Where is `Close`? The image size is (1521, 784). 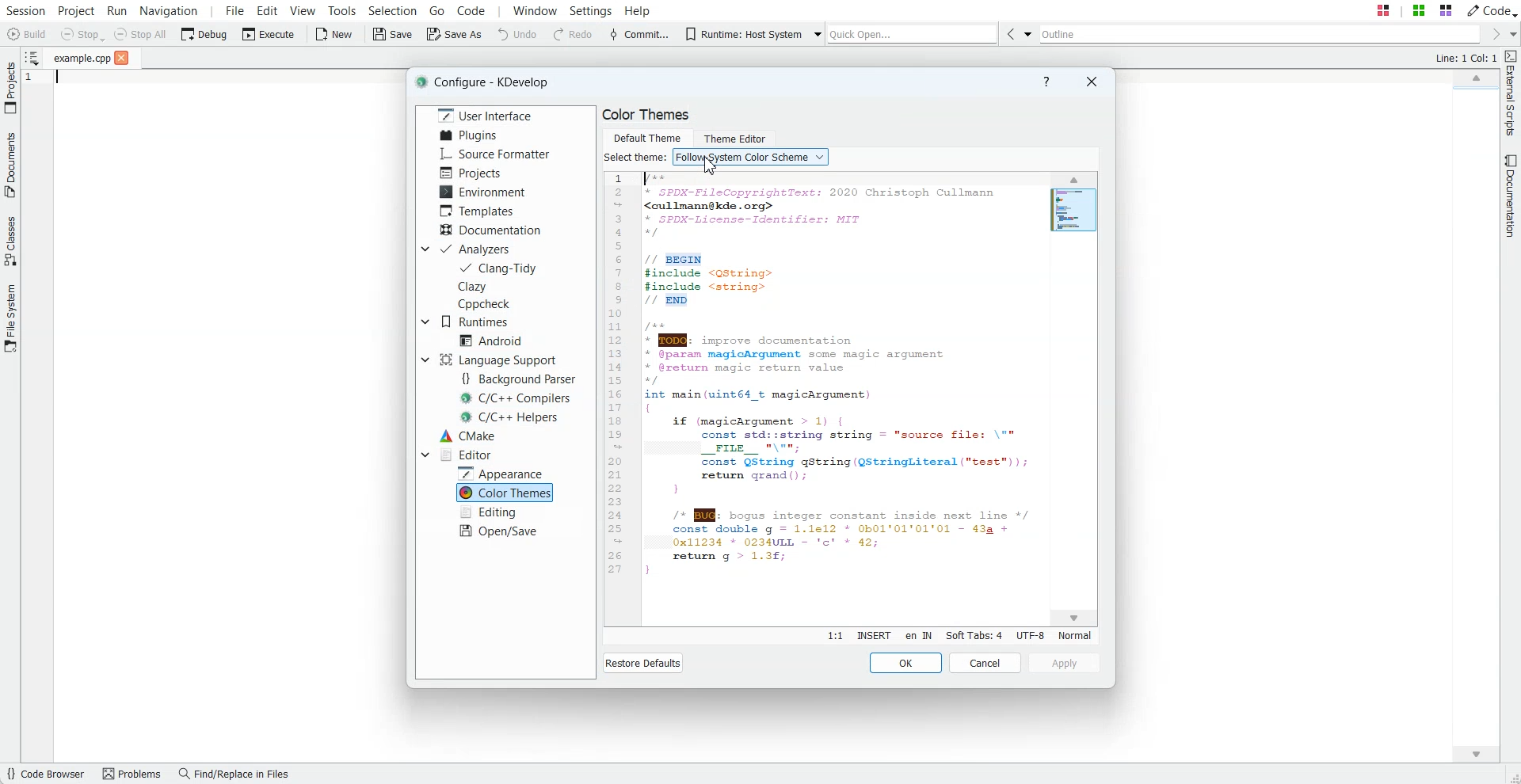
Close is located at coordinates (1091, 81).